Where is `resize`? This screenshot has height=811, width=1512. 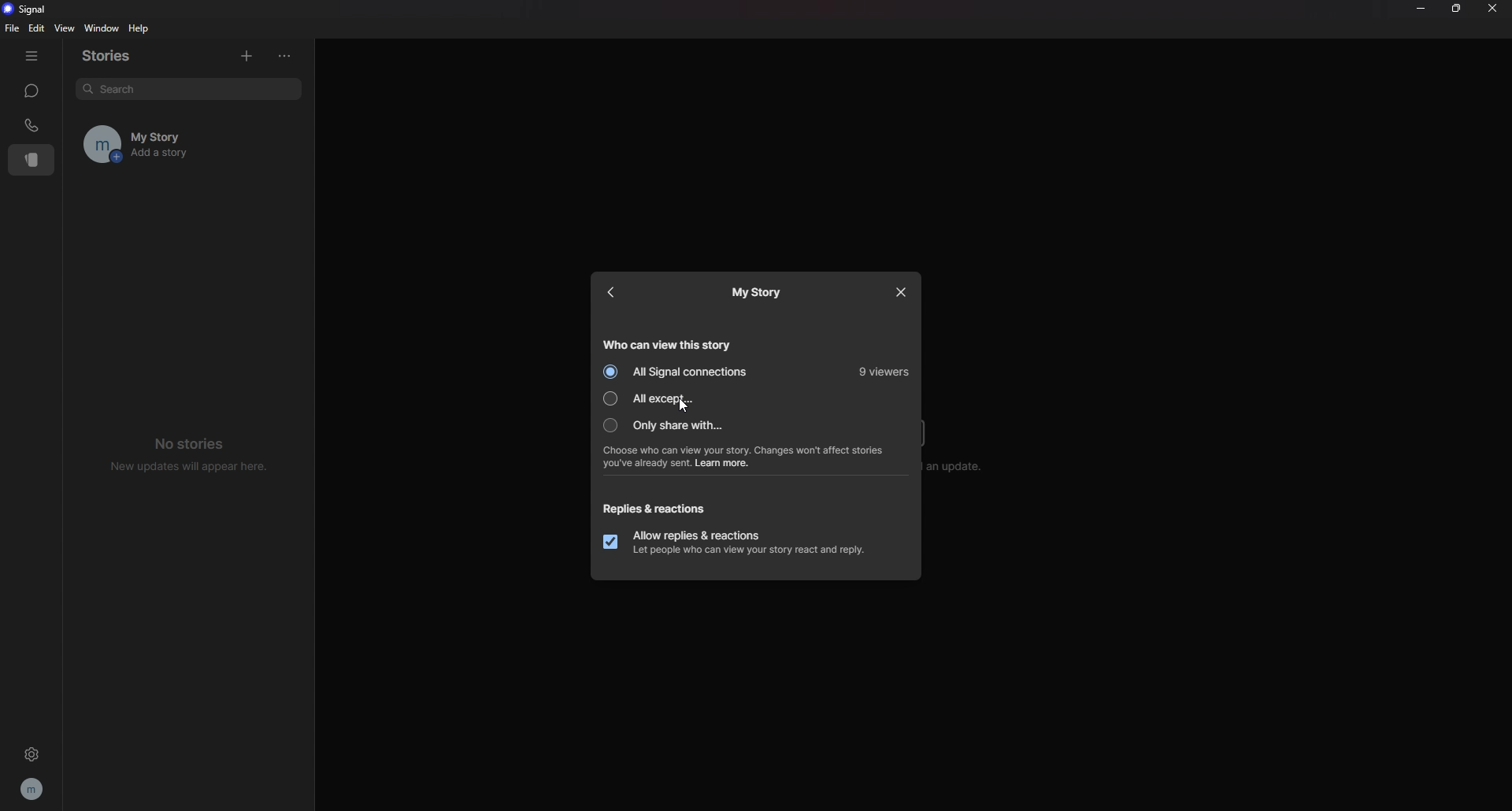 resize is located at coordinates (1458, 9).